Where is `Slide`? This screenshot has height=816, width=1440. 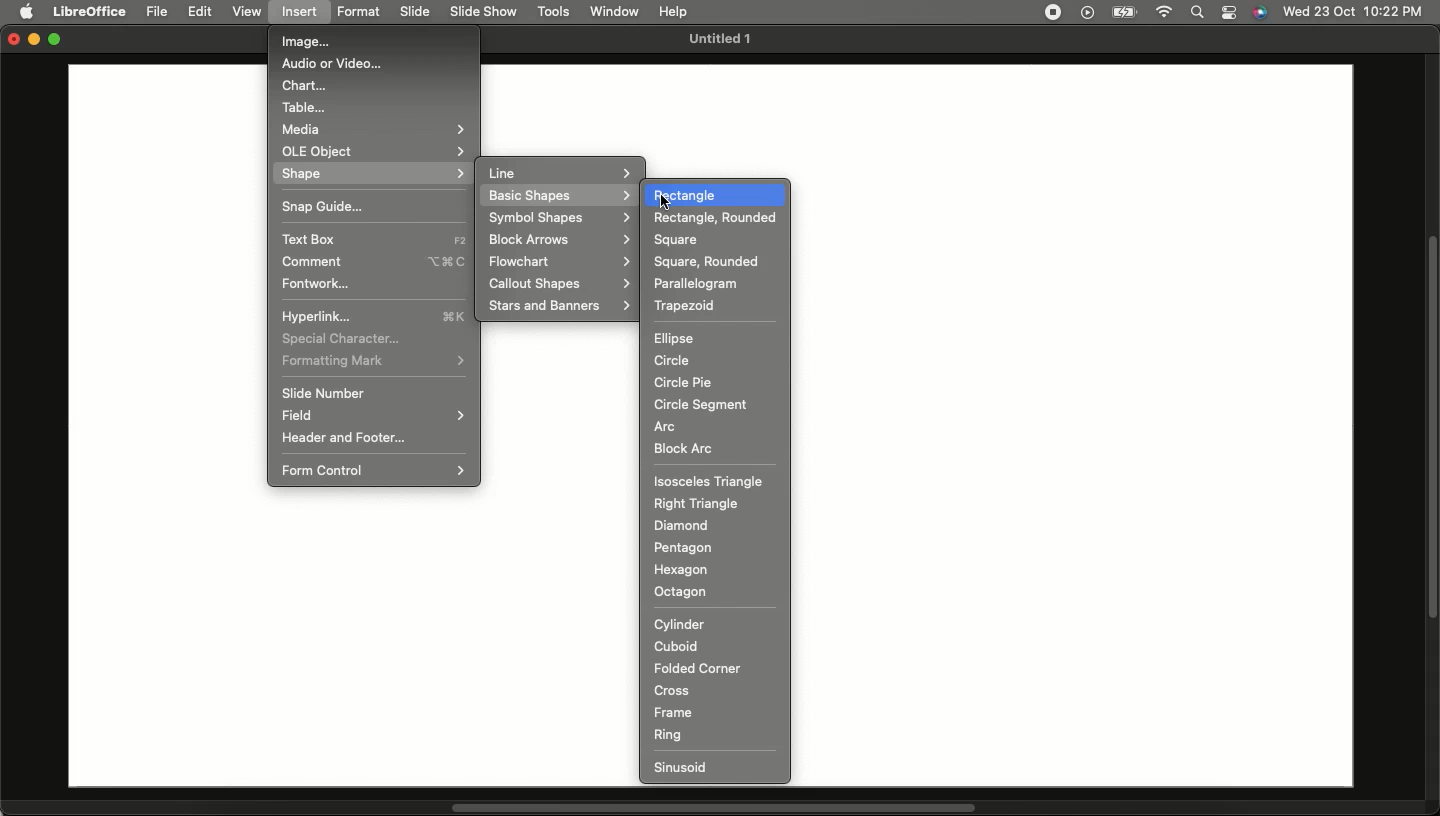
Slide is located at coordinates (417, 12).